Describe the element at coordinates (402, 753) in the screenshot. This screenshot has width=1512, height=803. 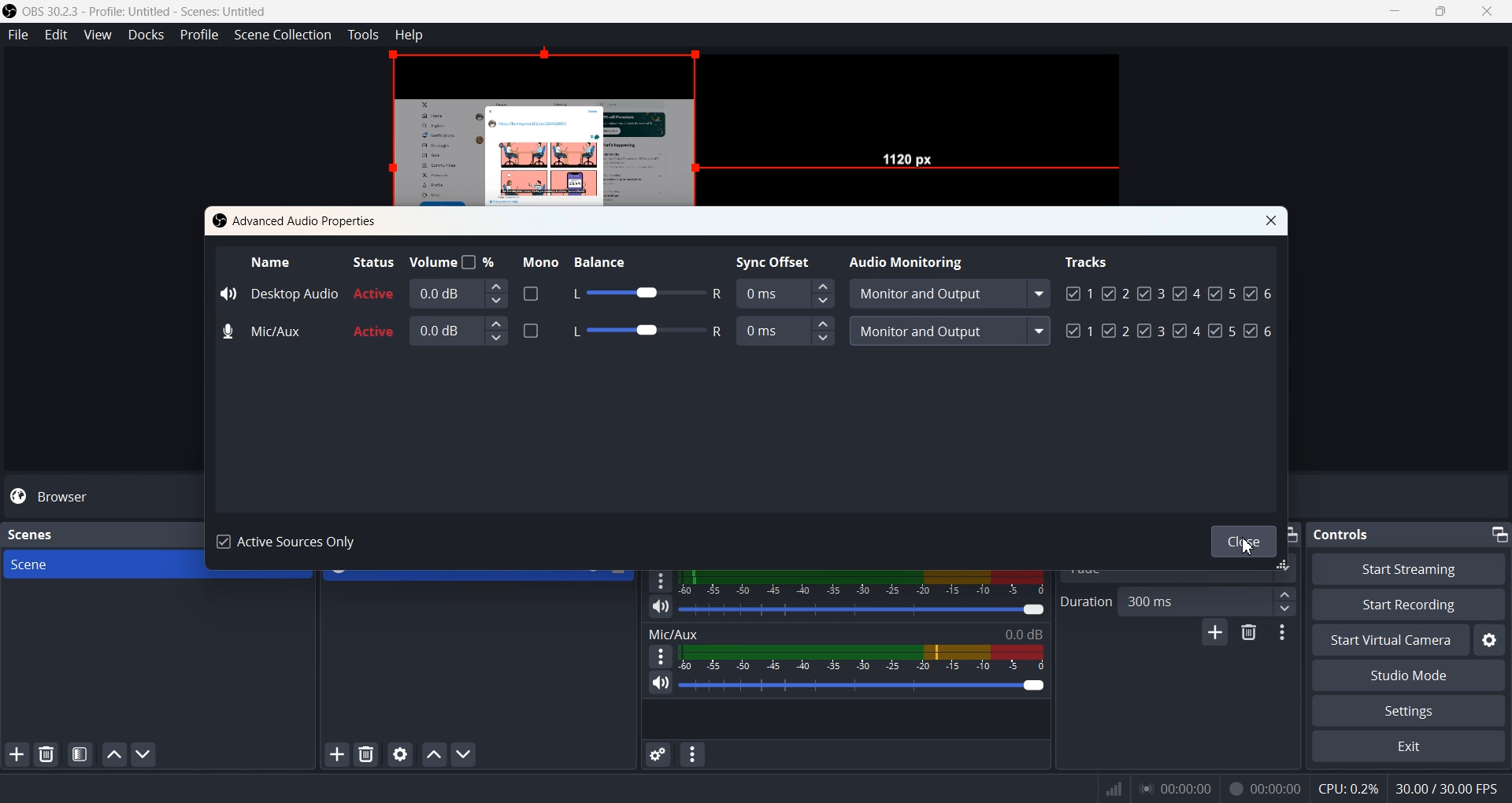
I see `Open source properties` at that location.